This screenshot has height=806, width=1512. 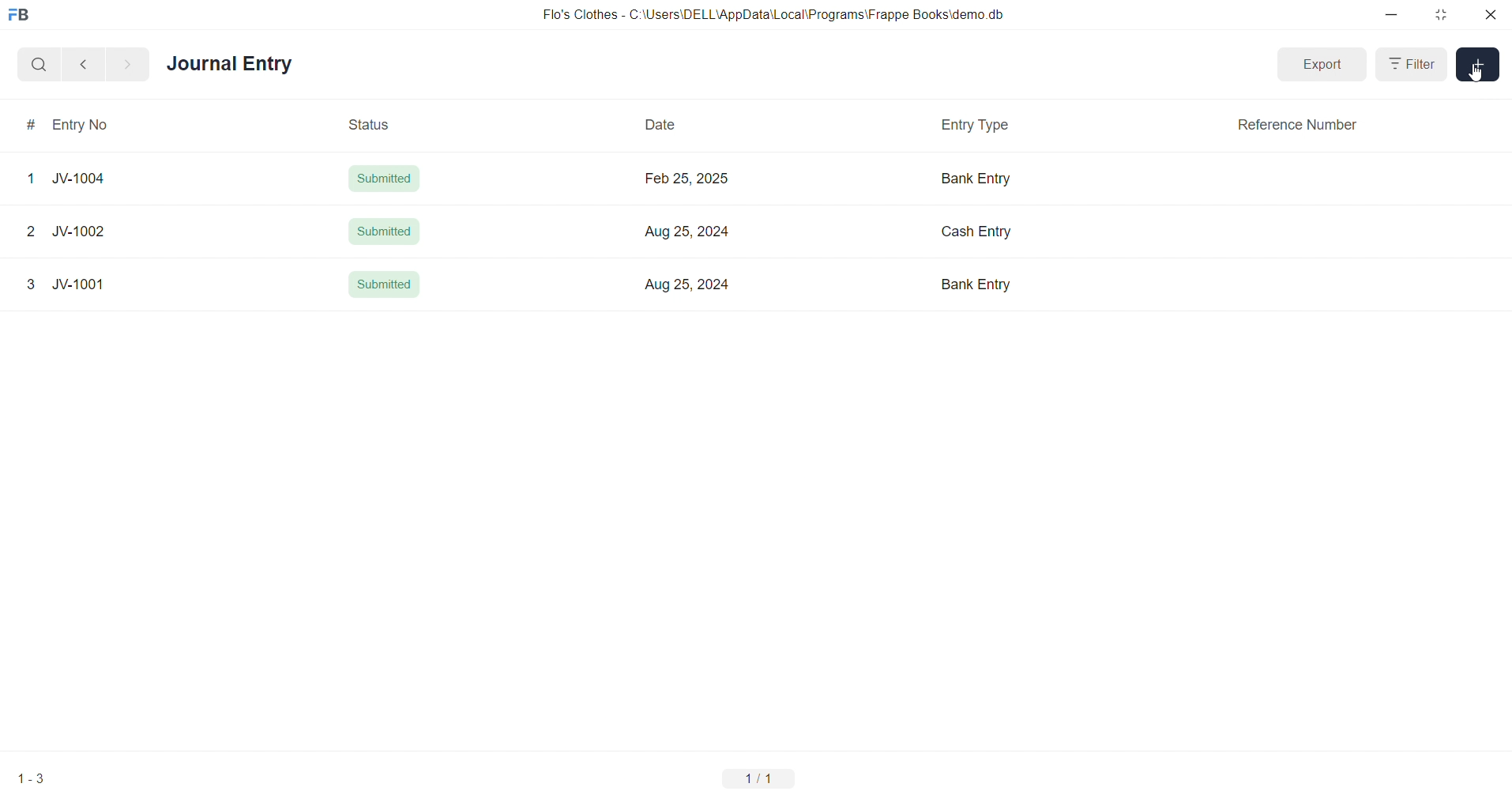 I want to click on Reference Number, so click(x=1297, y=126).